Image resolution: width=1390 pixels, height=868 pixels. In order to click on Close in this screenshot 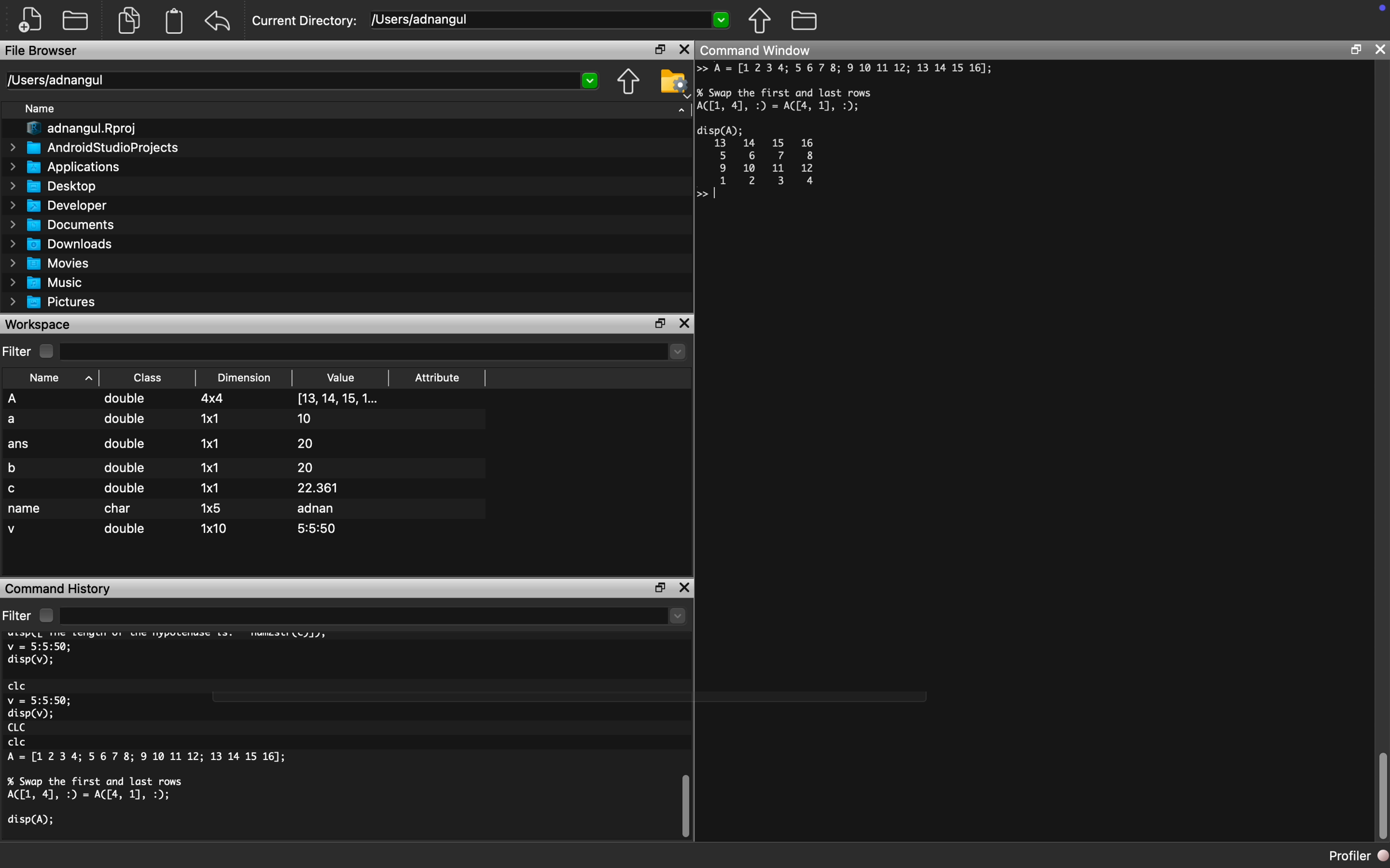, I will do `click(1382, 49)`.